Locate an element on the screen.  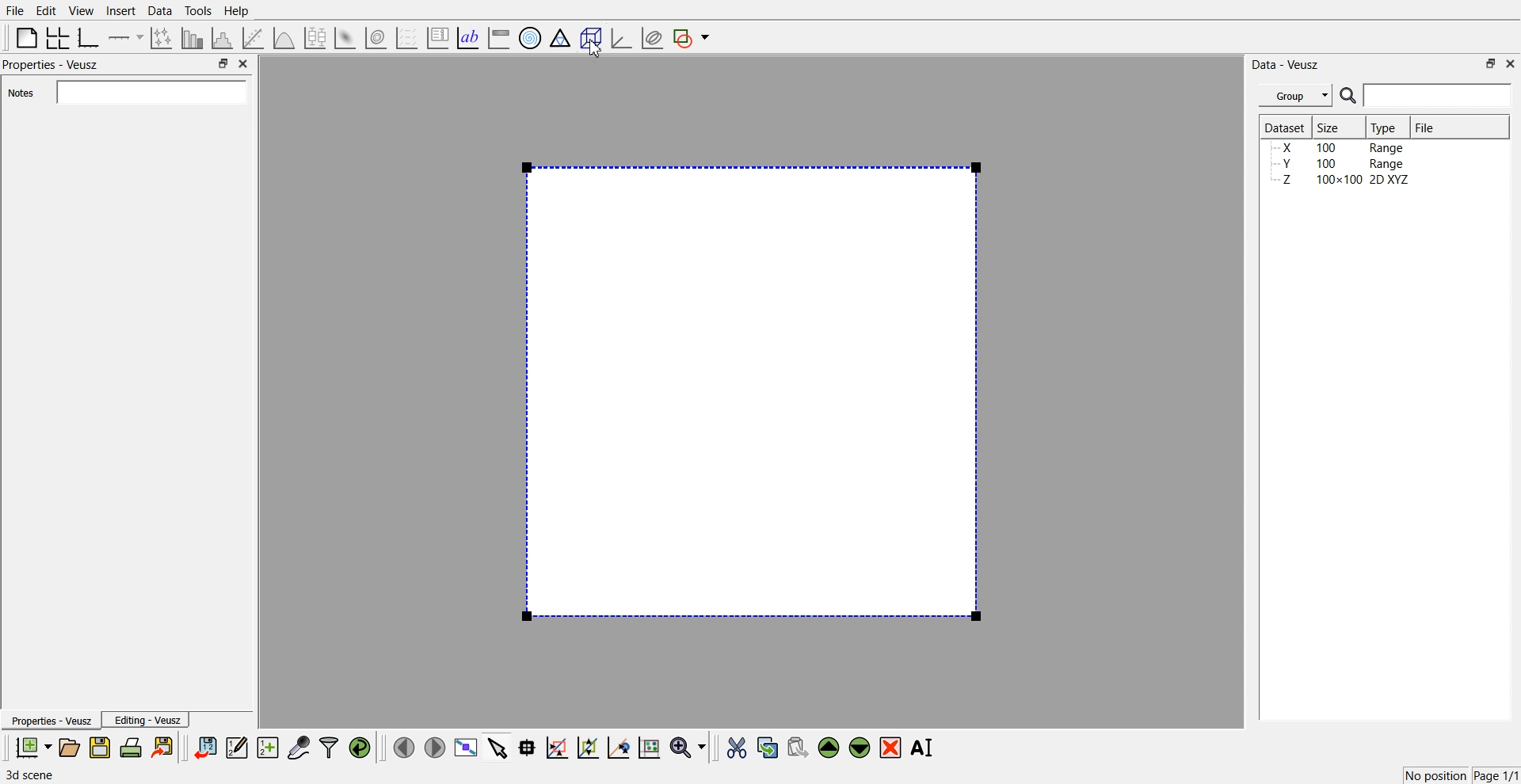
Plot points with lines is located at coordinates (162, 38).